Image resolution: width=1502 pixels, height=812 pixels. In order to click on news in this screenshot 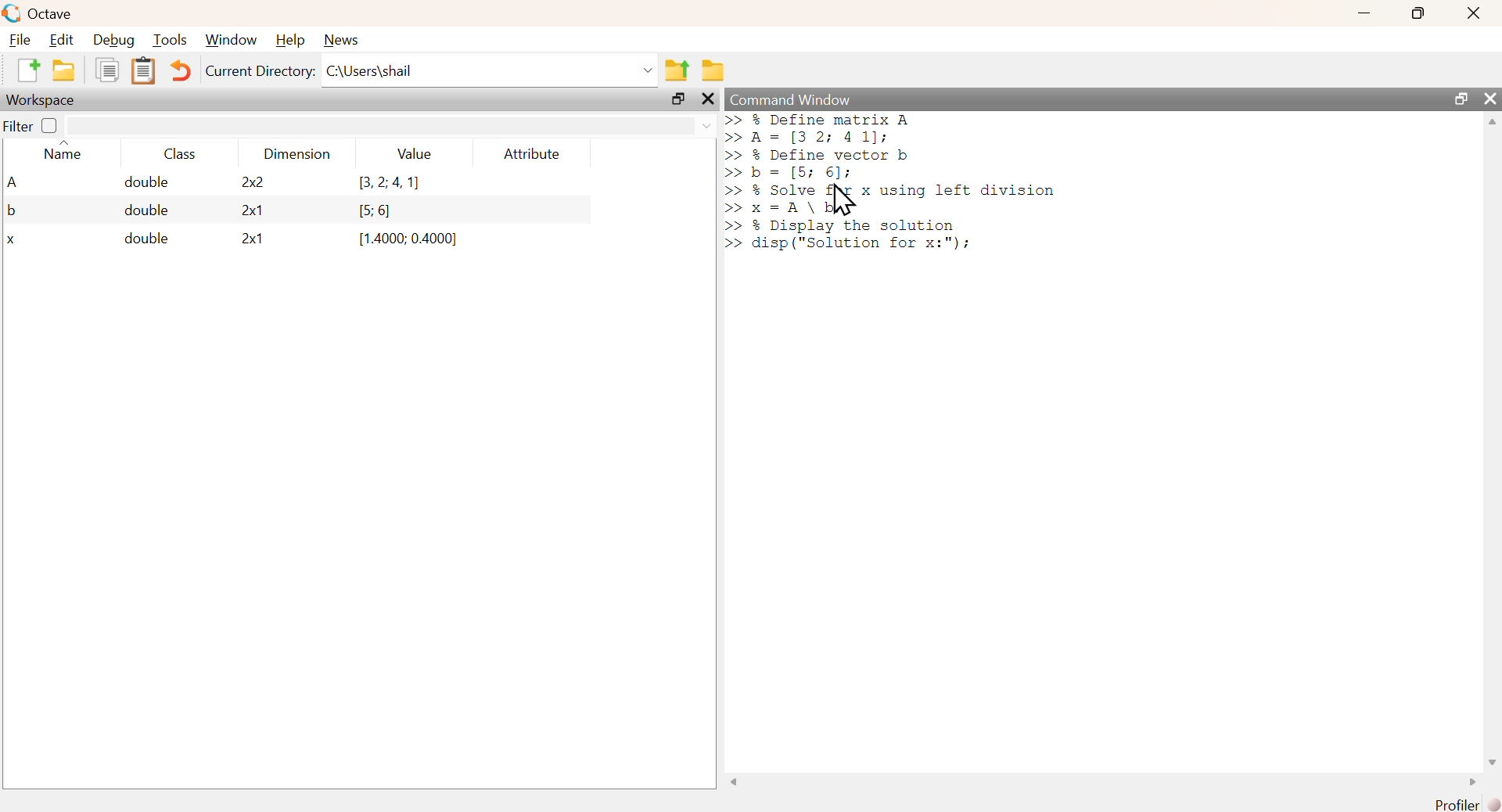, I will do `click(341, 39)`.